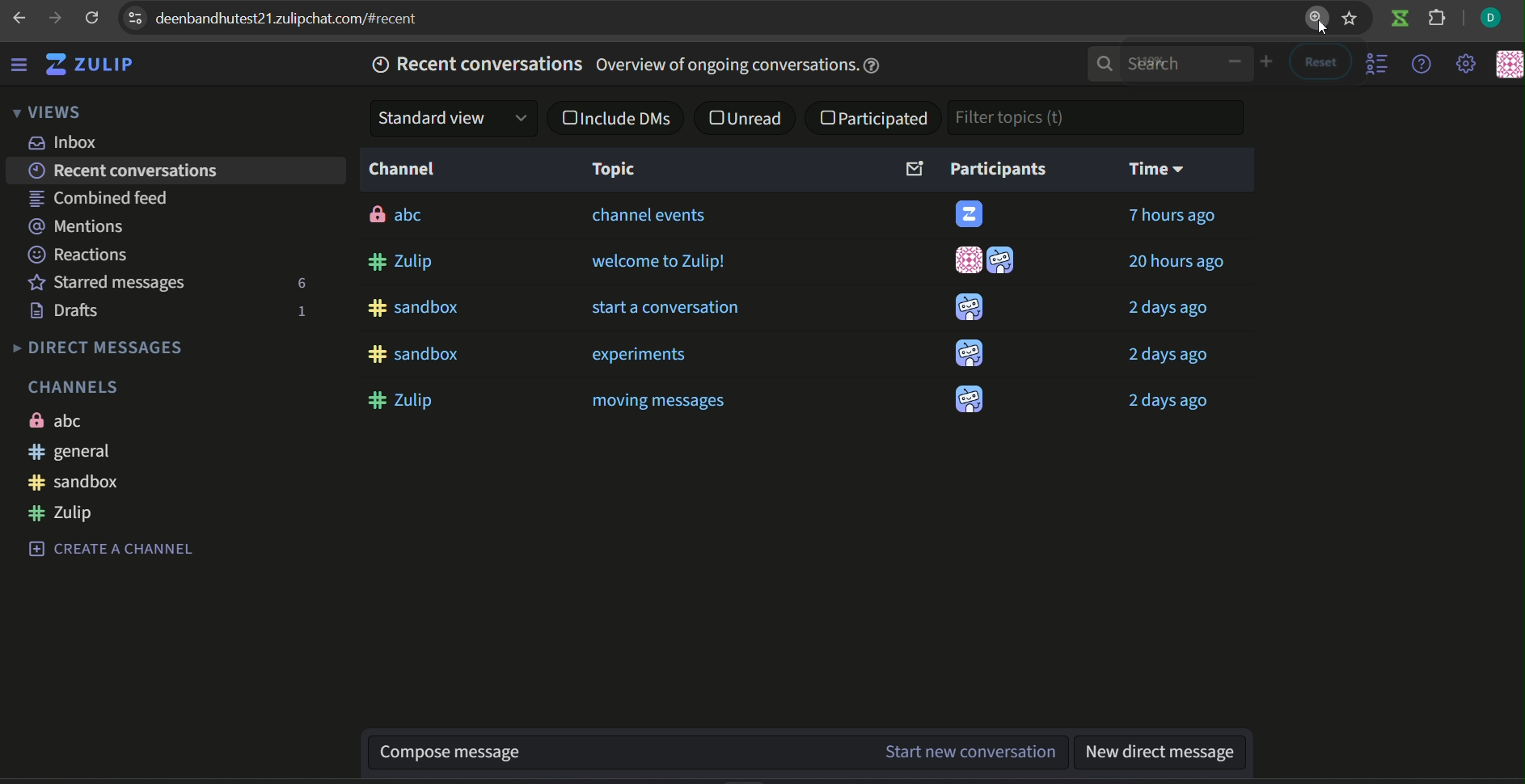 This screenshot has height=784, width=1525. I want to click on previous page, so click(21, 18).